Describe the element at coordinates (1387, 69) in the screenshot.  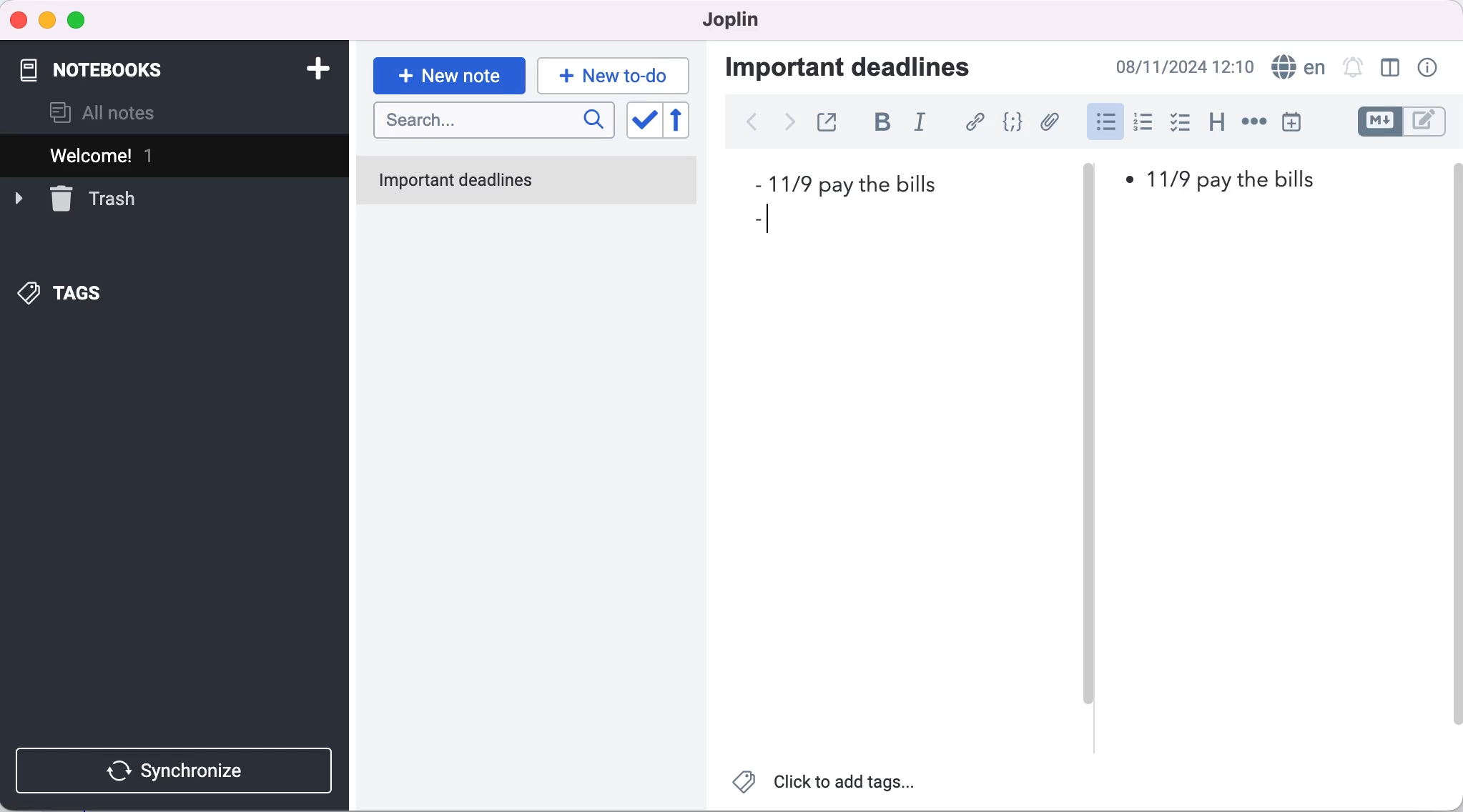
I see `toggle editor layout` at that location.